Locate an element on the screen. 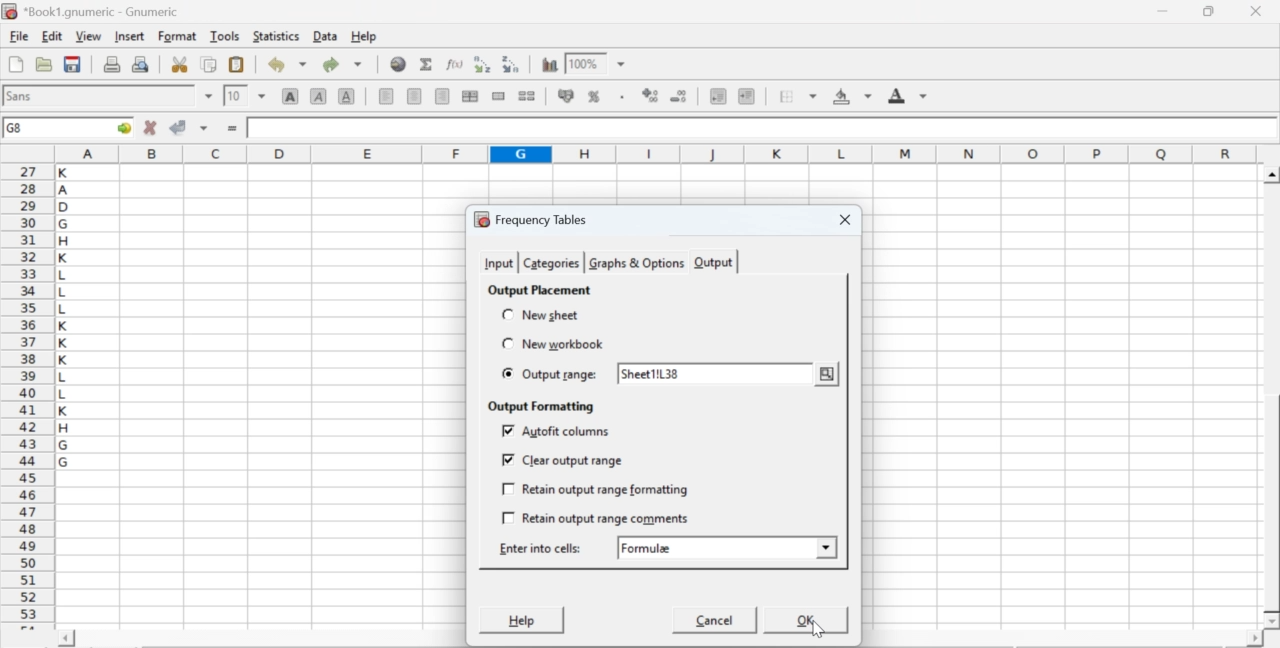  drop down is located at coordinates (262, 95).